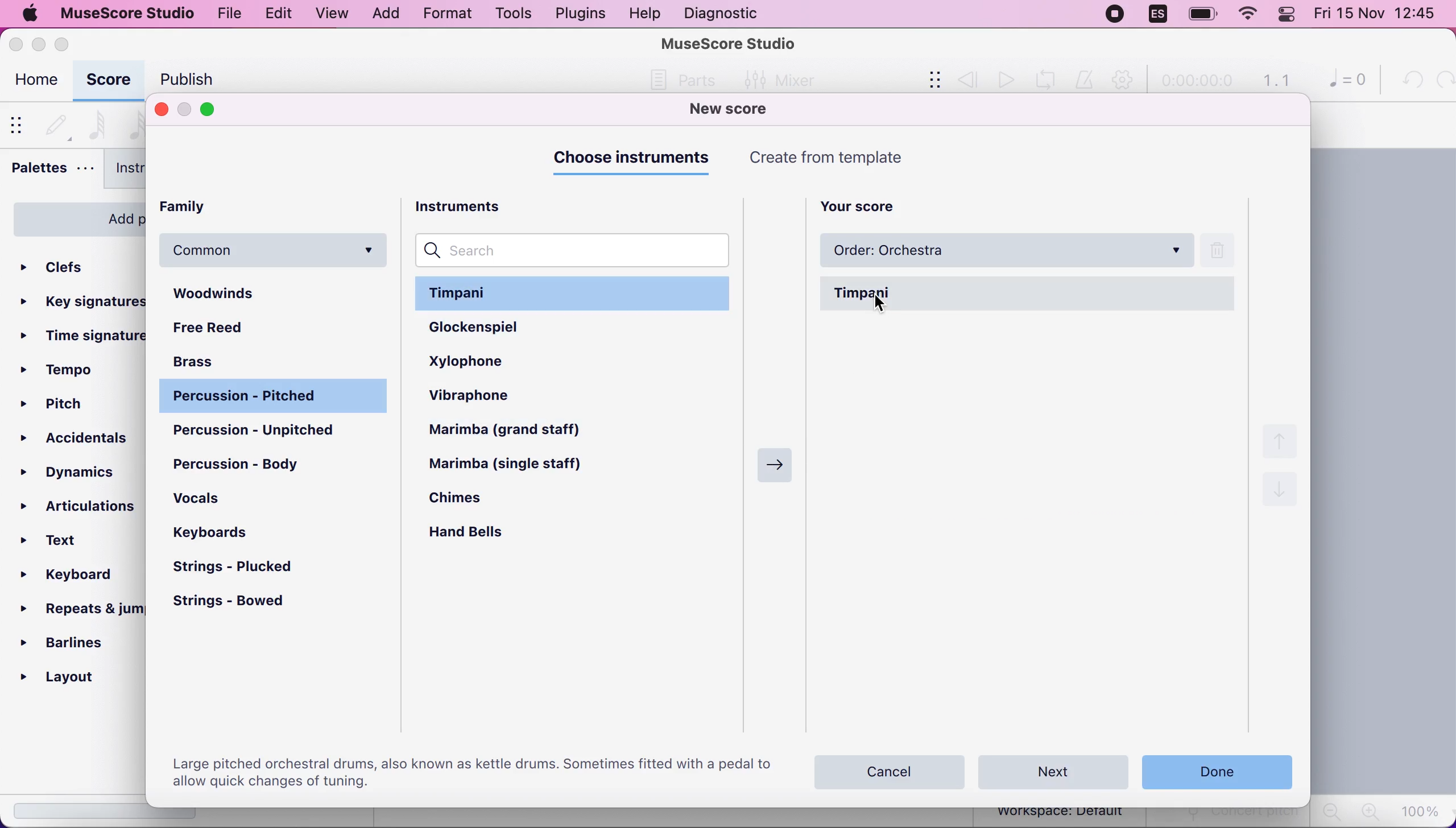  Describe the element at coordinates (1342, 82) in the screenshot. I see `0` at that location.